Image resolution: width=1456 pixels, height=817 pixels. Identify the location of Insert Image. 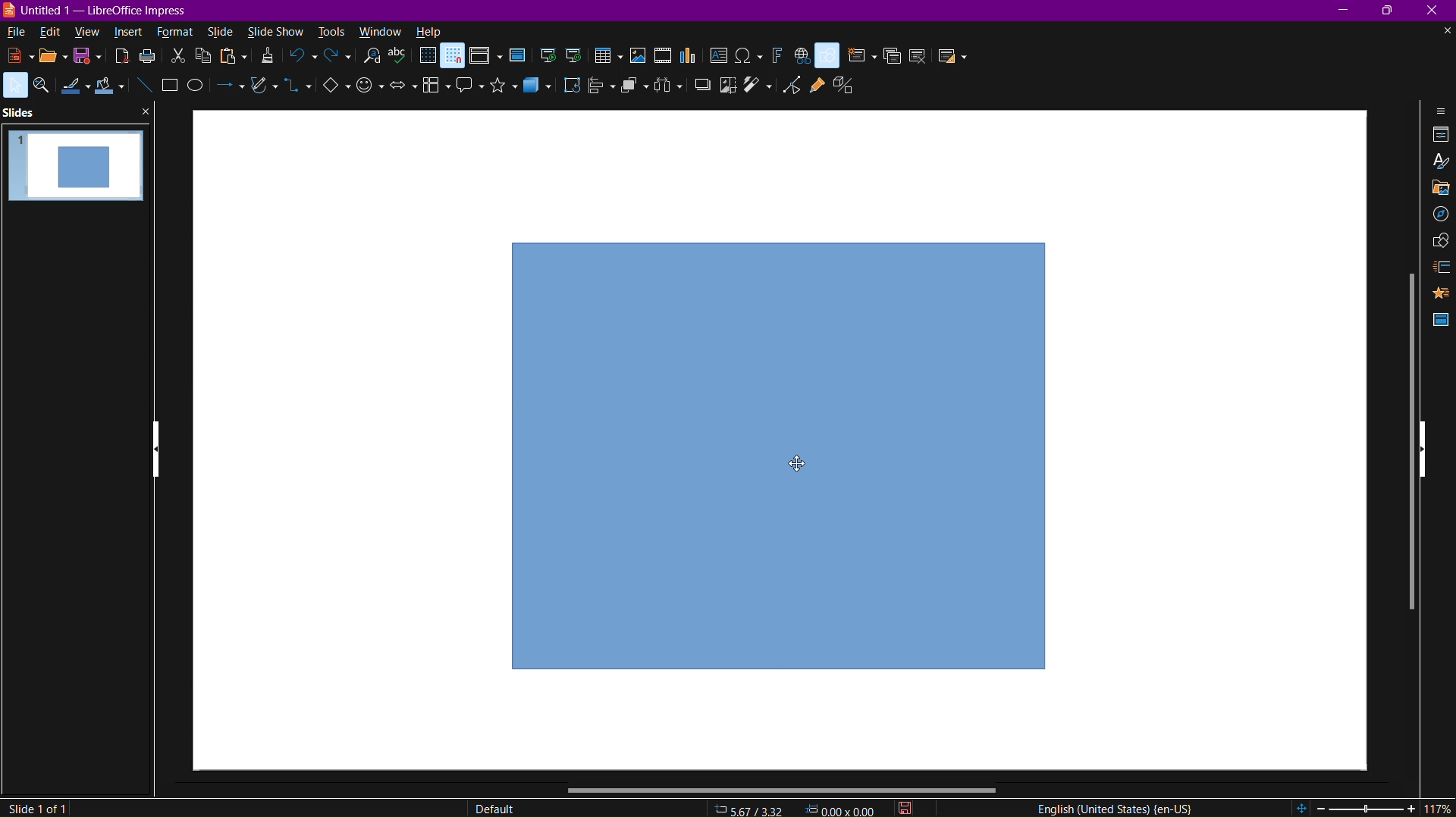
(639, 57).